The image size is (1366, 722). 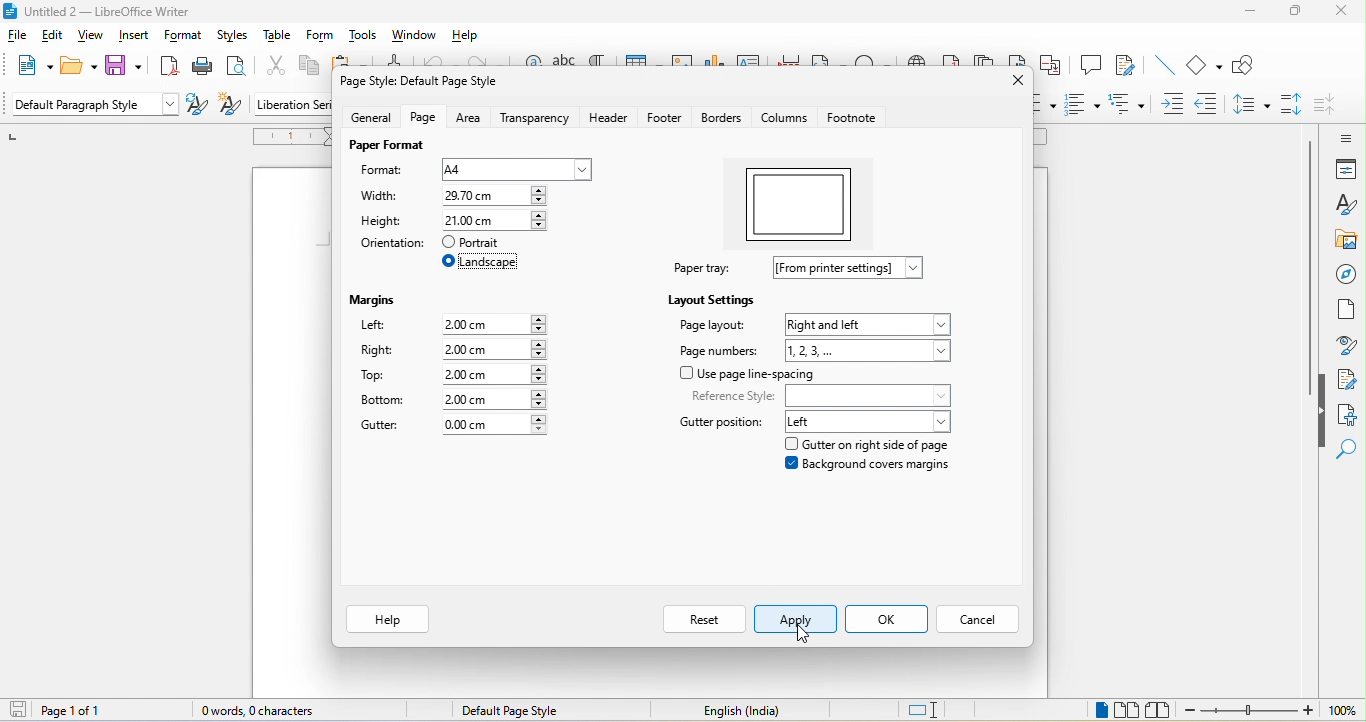 What do you see at coordinates (1250, 15) in the screenshot?
I see `minimize` at bounding box center [1250, 15].